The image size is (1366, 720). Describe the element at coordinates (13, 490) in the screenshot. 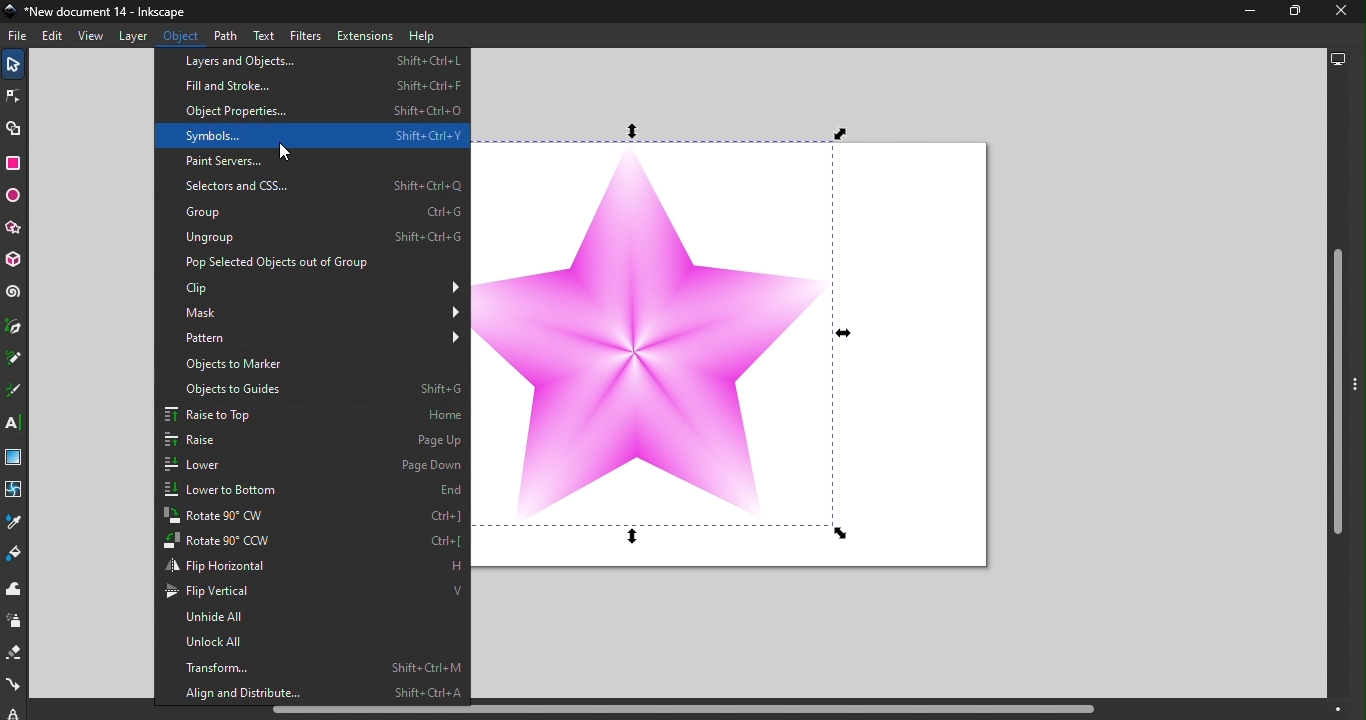

I see `Mesh tool` at that location.